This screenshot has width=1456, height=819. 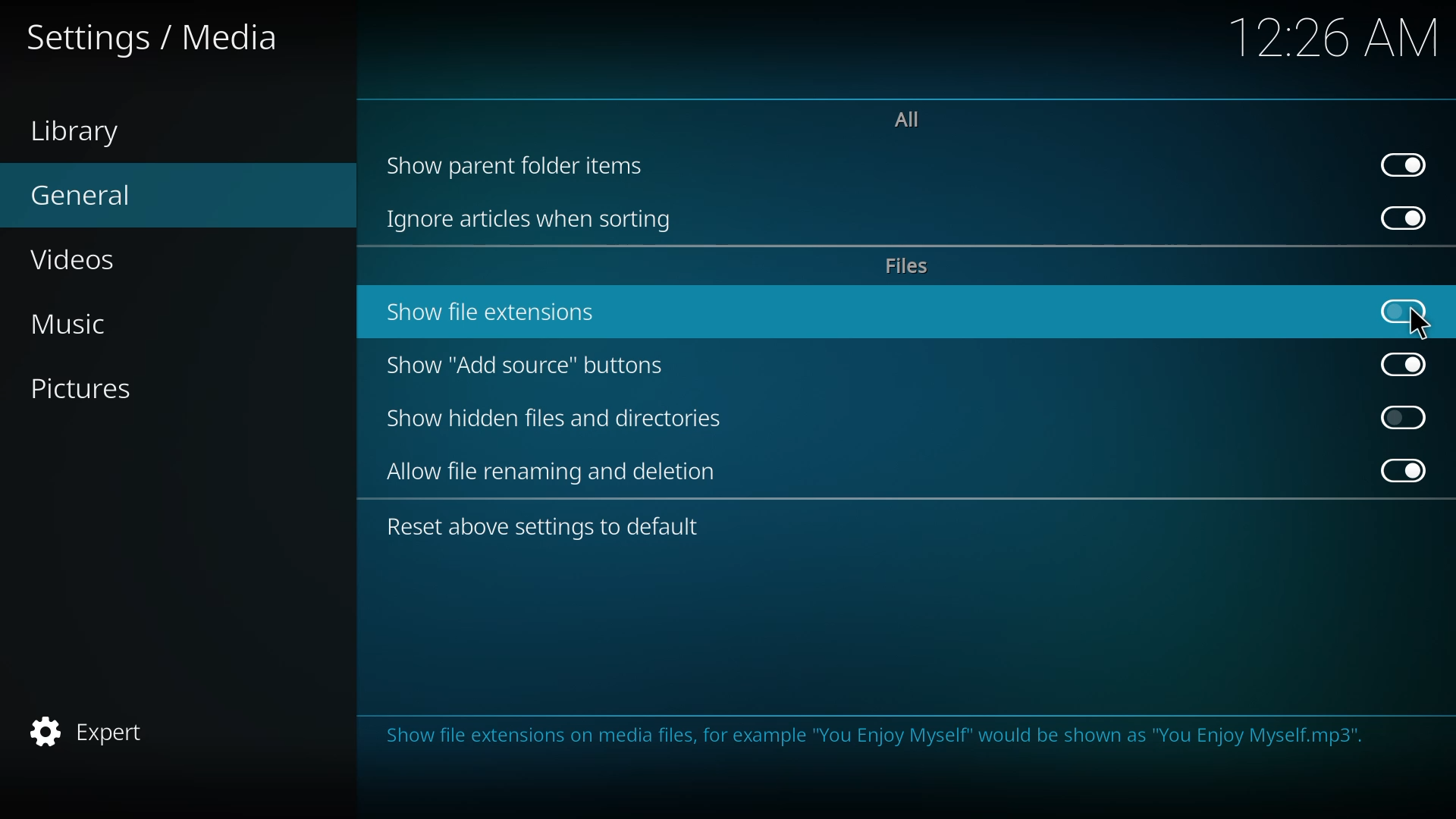 What do you see at coordinates (92, 135) in the screenshot?
I see `library` at bounding box center [92, 135].